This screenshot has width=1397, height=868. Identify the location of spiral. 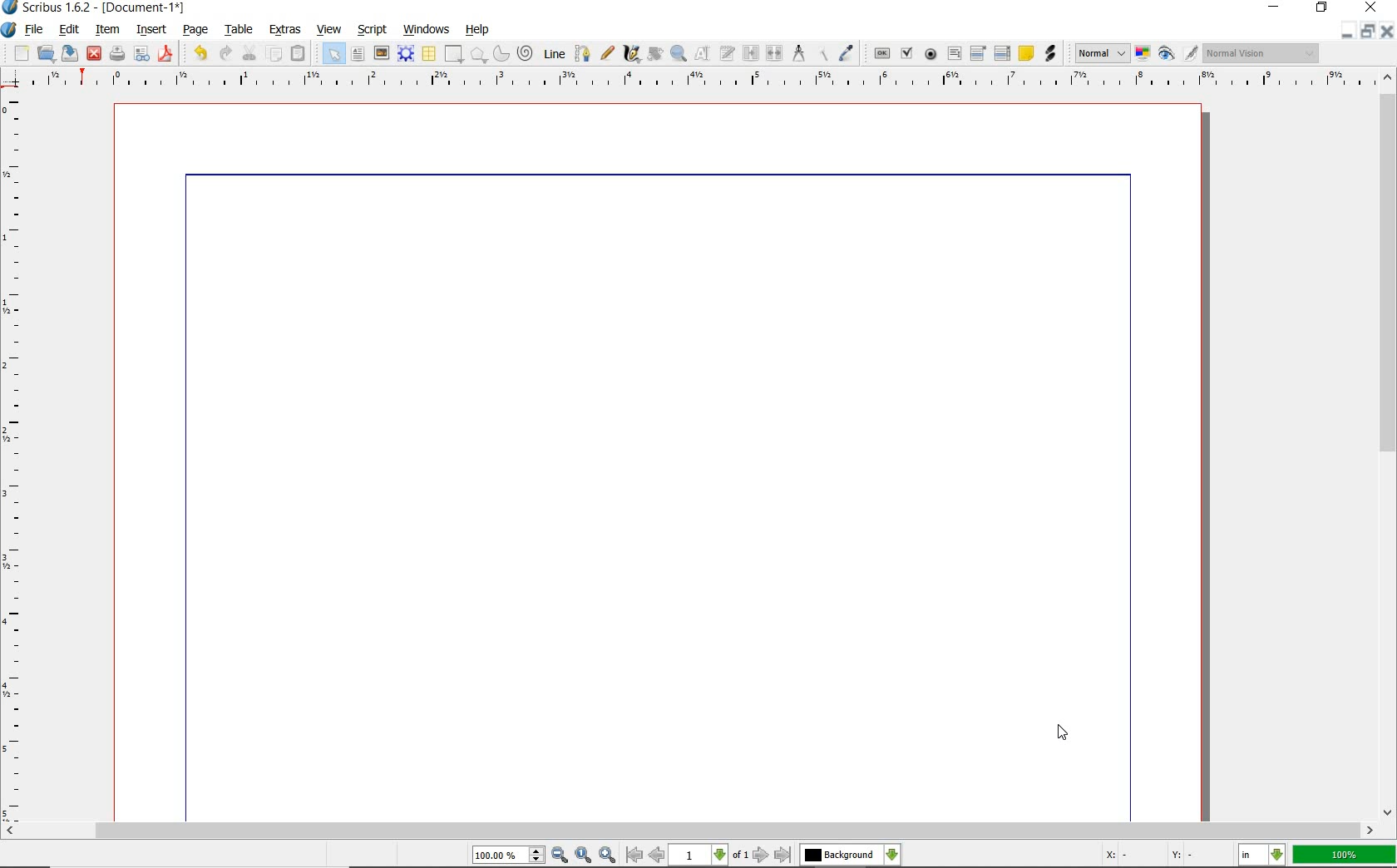
(527, 52).